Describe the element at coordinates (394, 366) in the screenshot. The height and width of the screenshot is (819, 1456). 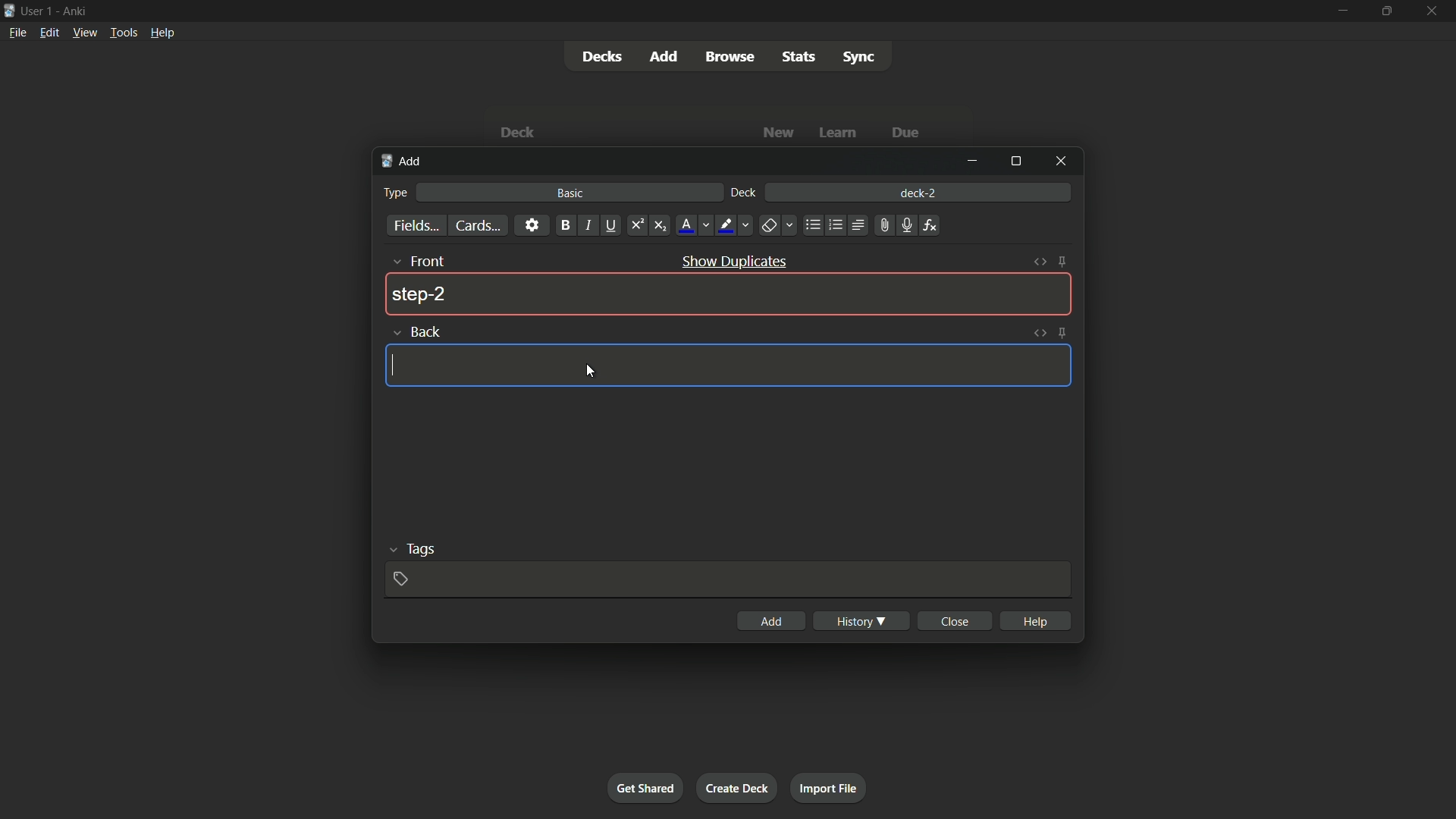
I see `cursor` at that location.